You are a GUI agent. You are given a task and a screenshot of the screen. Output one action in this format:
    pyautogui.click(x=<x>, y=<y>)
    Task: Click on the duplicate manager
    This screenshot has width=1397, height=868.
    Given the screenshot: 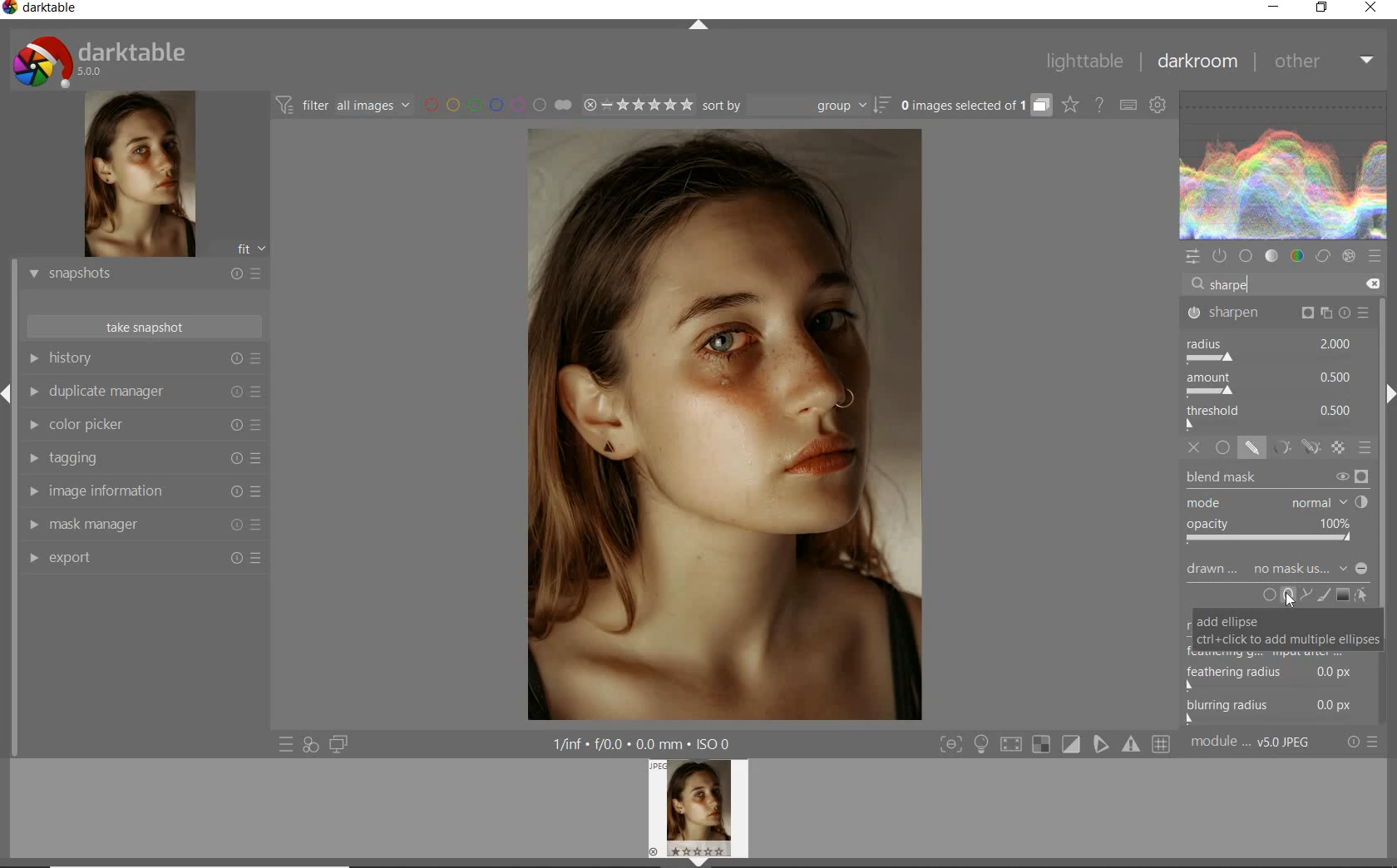 What is the action you would take?
    pyautogui.click(x=144, y=394)
    